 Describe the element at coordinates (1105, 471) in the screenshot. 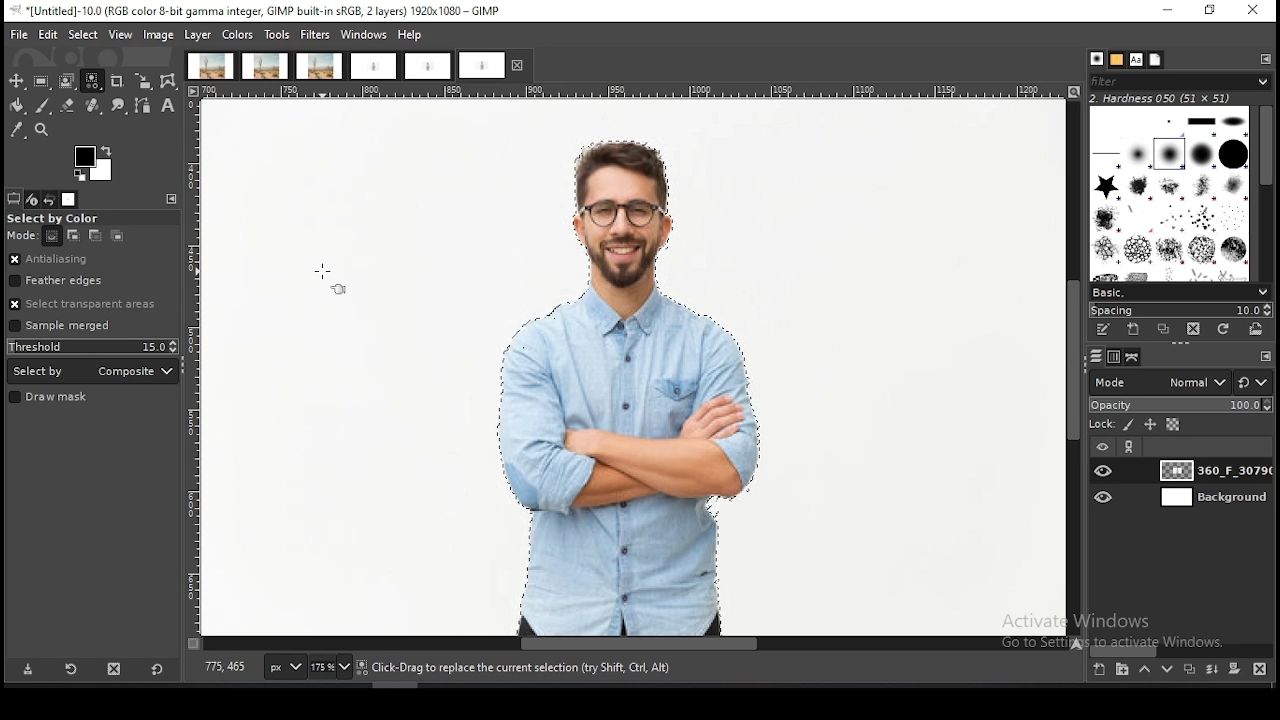

I see `layer visibility on/off` at that location.